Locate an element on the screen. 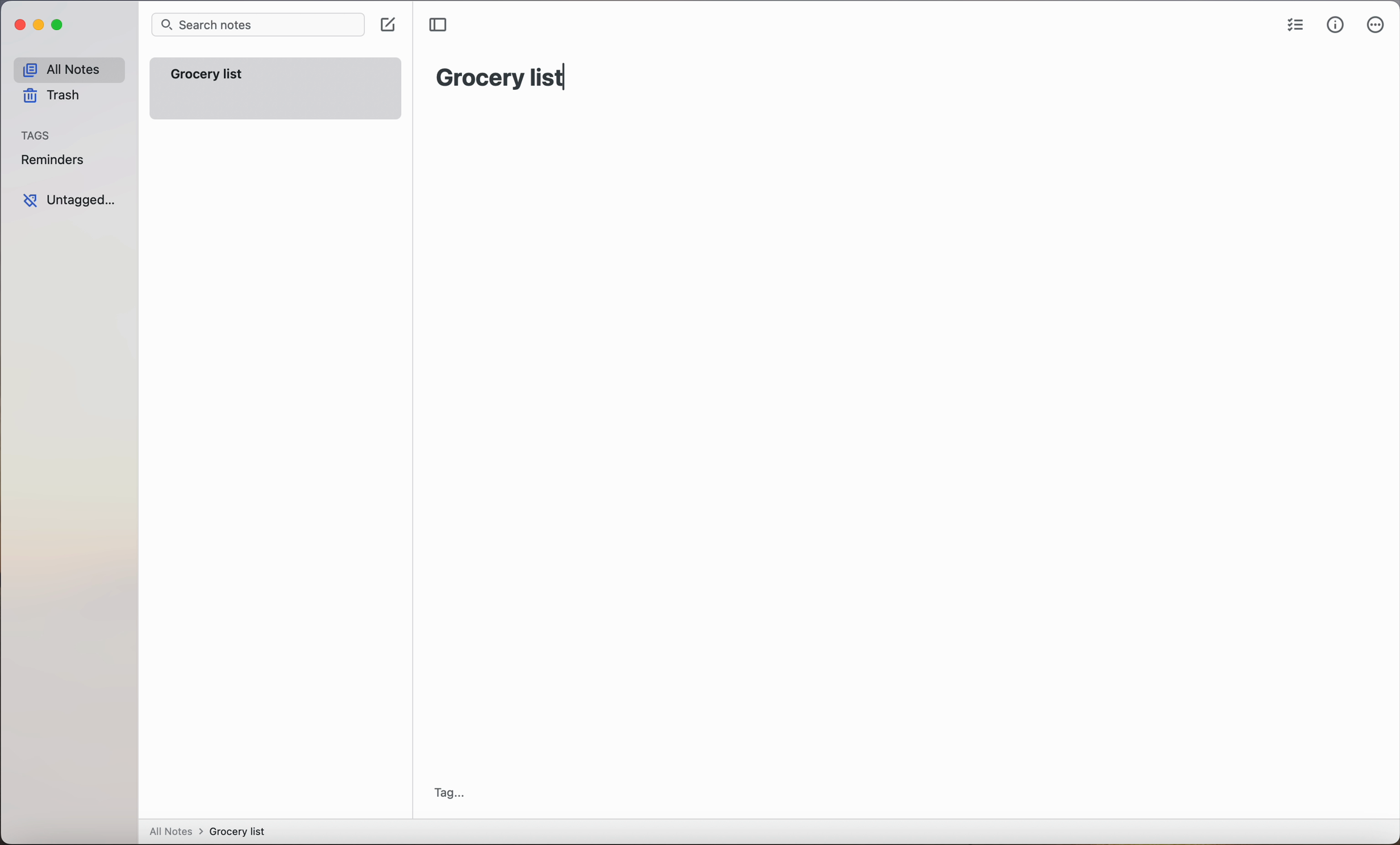 The height and width of the screenshot is (845, 1400). toggle sidebar is located at coordinates (441, 24).